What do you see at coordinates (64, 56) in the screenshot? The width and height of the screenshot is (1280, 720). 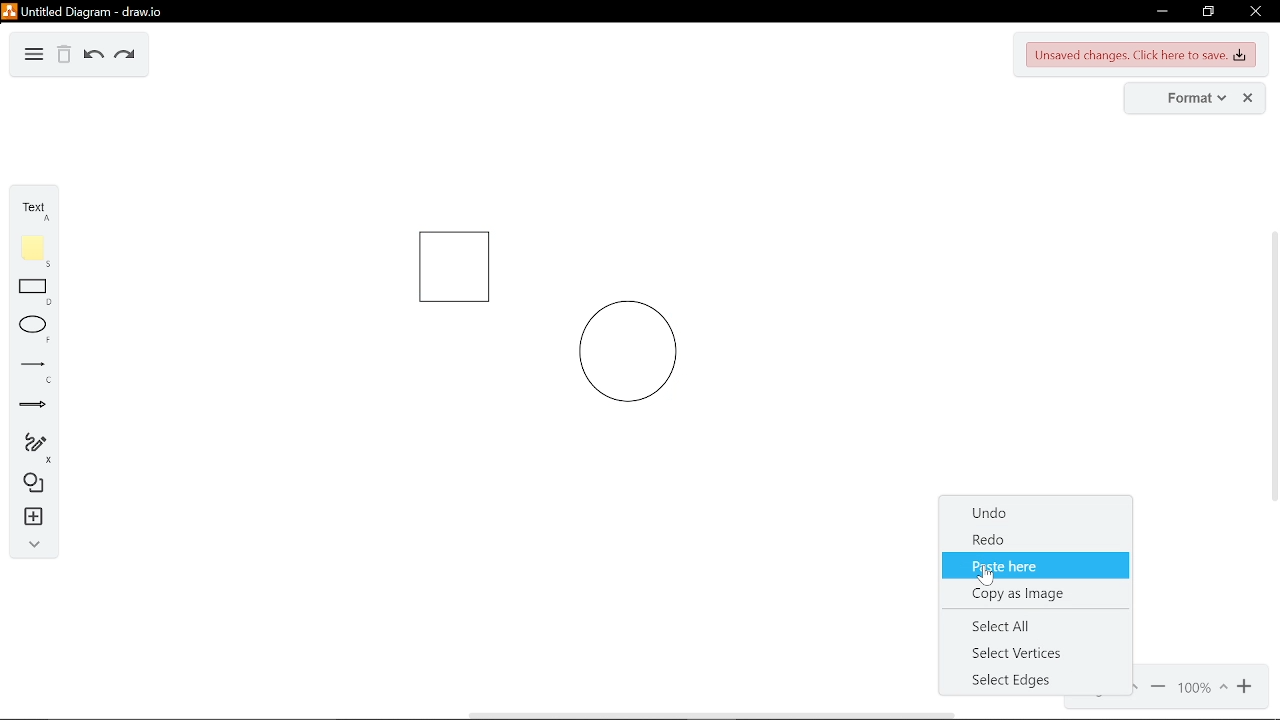 I see `delete` at bounding box center [64, 56].